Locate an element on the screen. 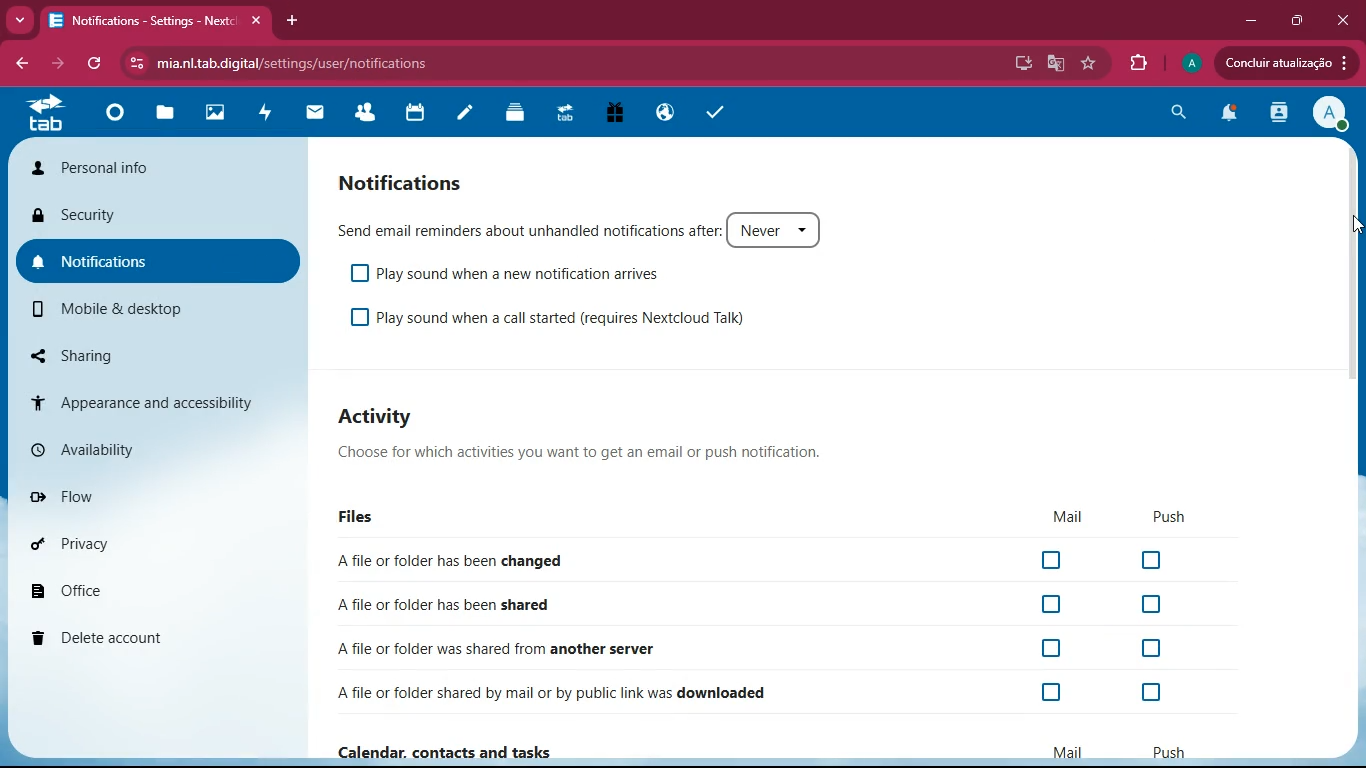 The width and height of the screenshot is (1366, 768). layers is located at coordinates (519, 113).